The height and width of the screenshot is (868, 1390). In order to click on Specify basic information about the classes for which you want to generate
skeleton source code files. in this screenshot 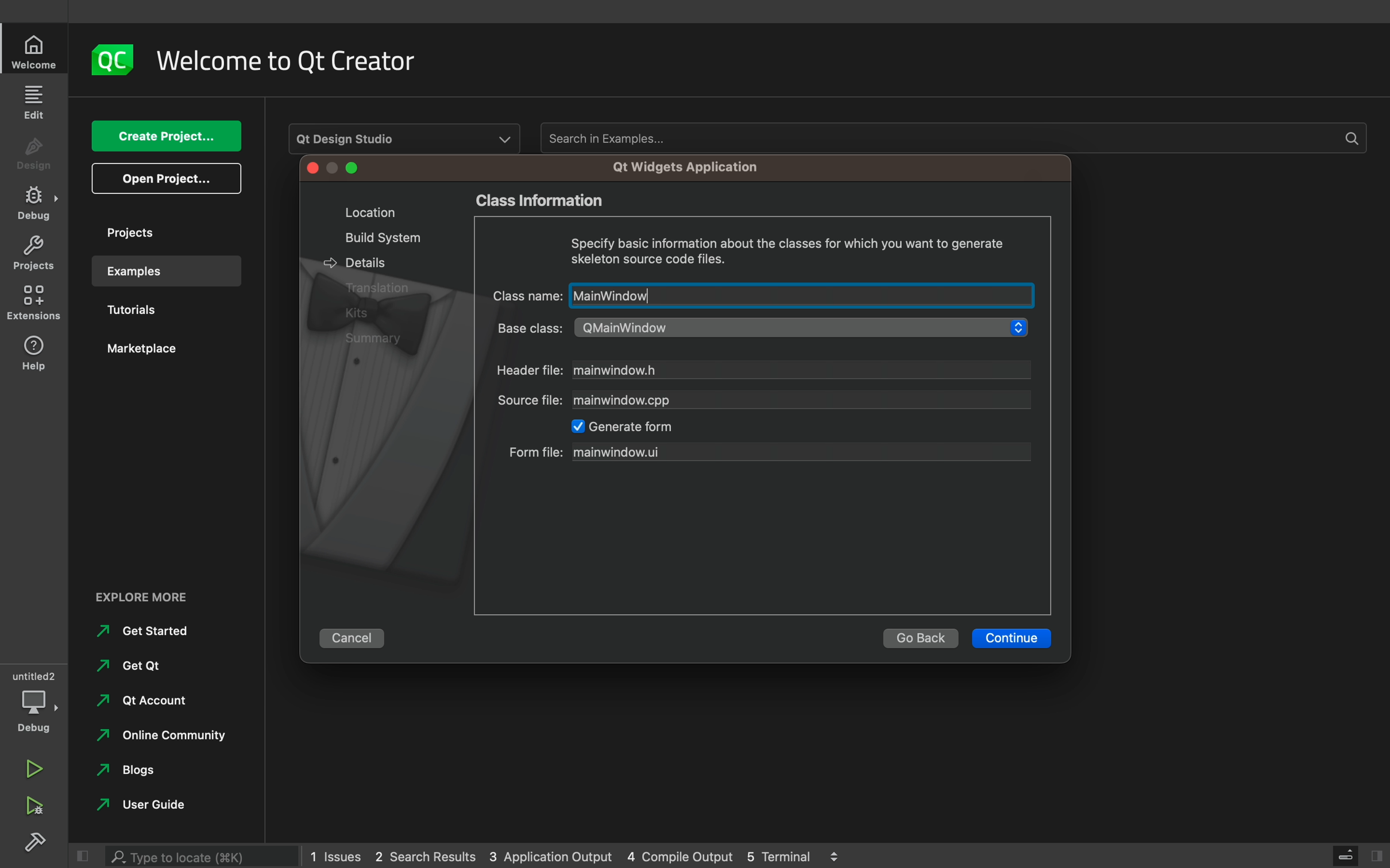, I will do `click(787, 250)`.